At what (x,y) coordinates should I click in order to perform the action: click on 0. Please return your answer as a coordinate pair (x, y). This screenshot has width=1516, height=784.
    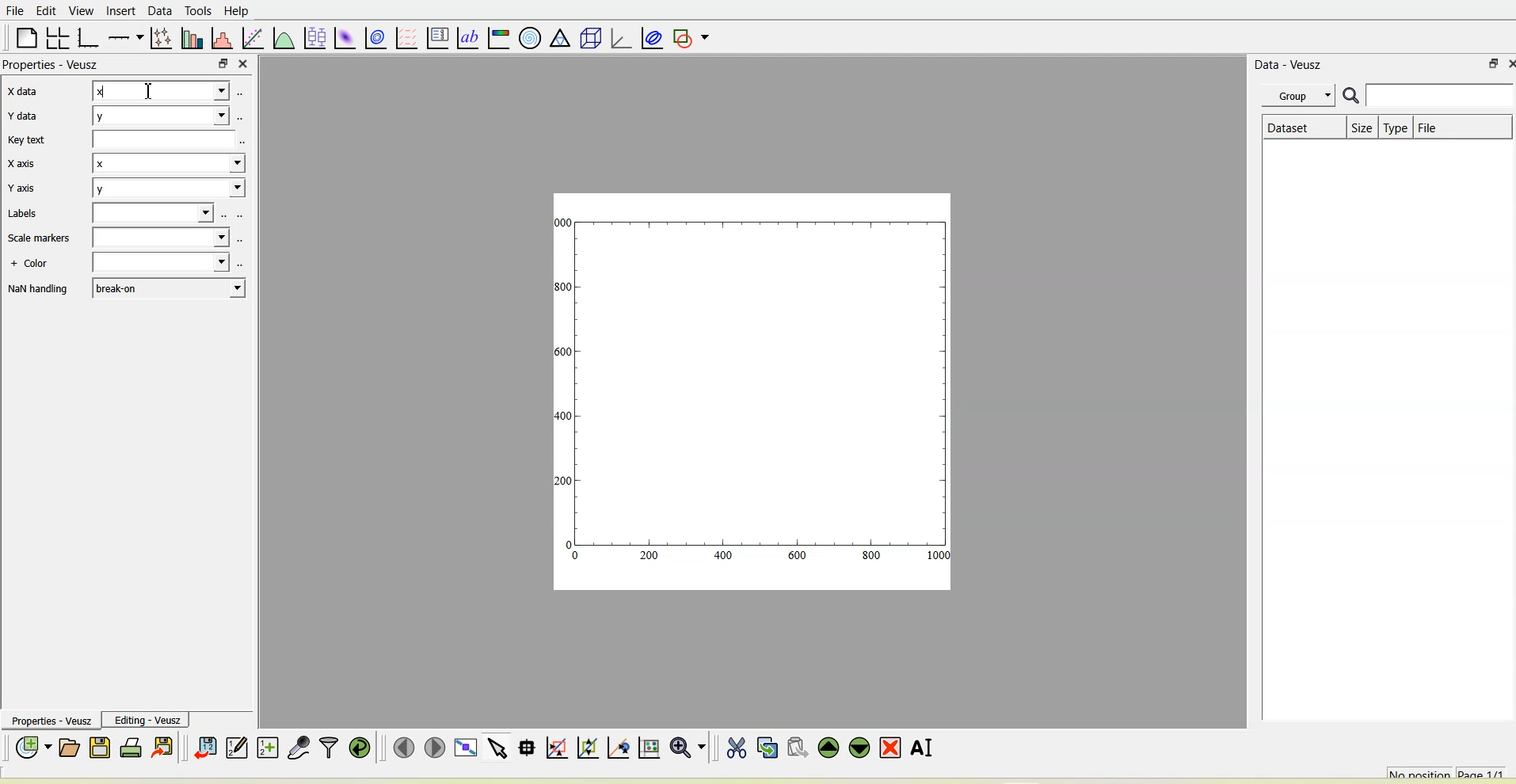
    Looking at the image, I should click on (577, 558).